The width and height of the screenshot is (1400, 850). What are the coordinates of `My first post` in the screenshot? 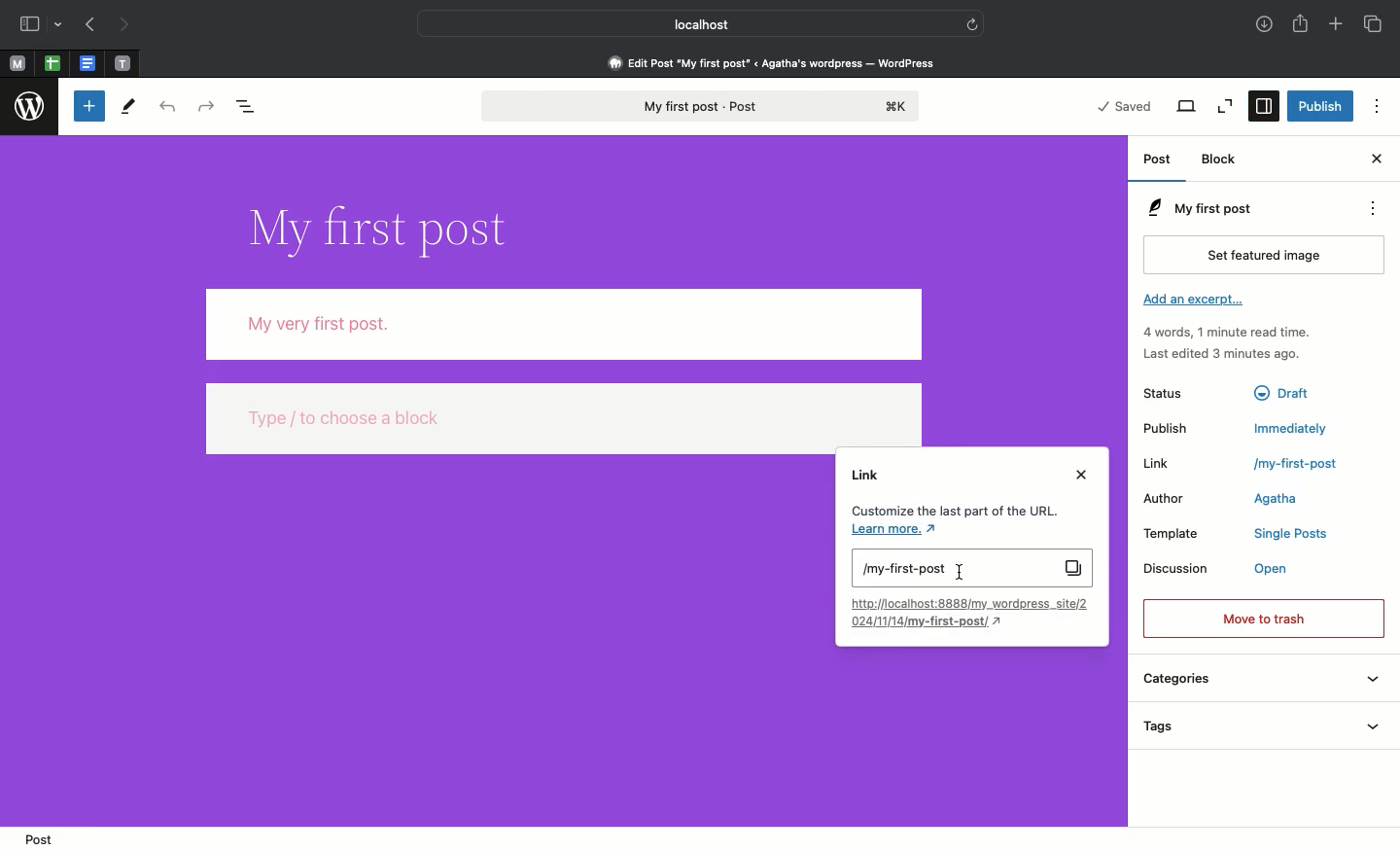 It's located at (970, 570).